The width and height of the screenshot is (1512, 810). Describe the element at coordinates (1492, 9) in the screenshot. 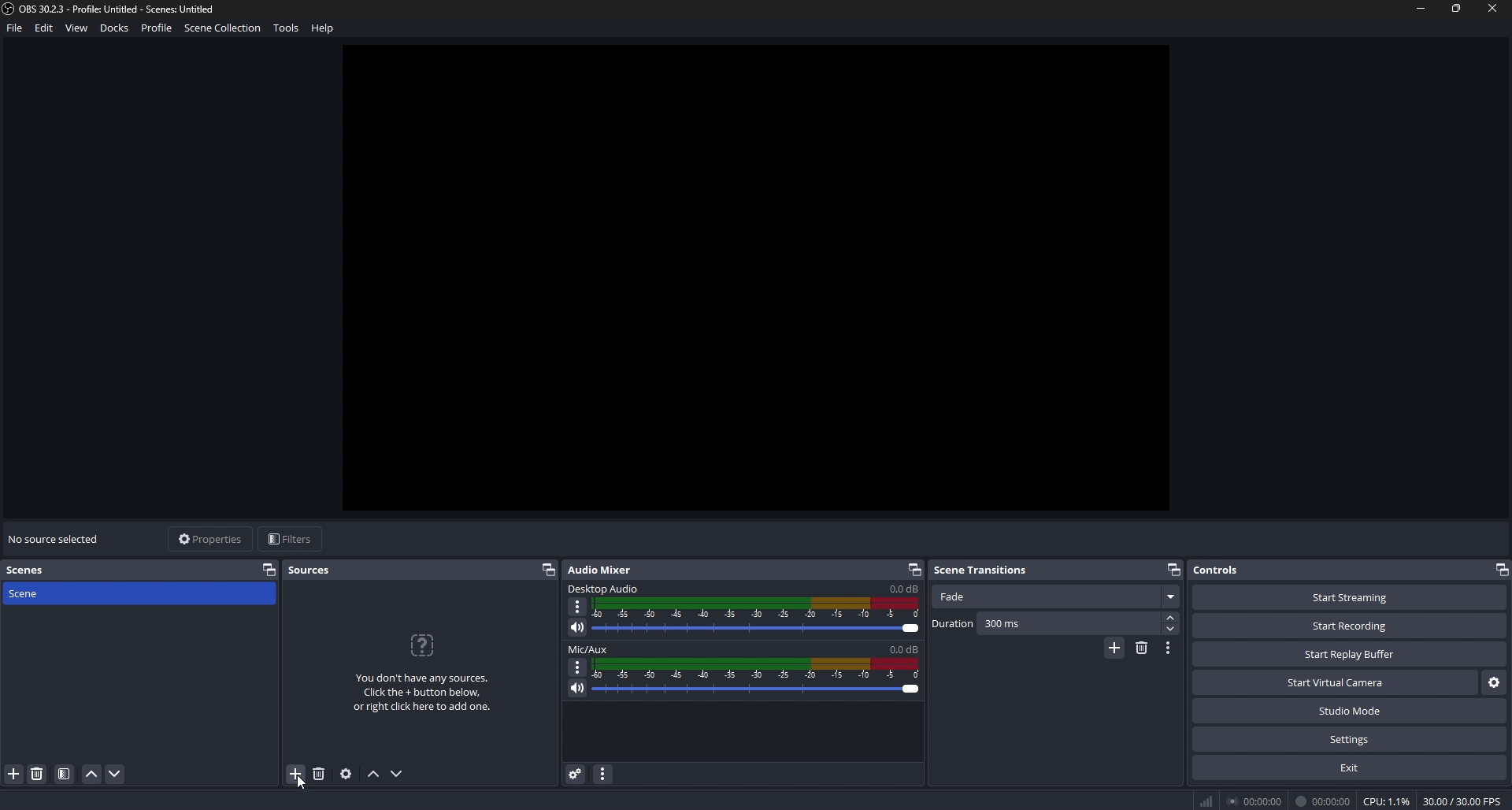

I see `close` at that location.